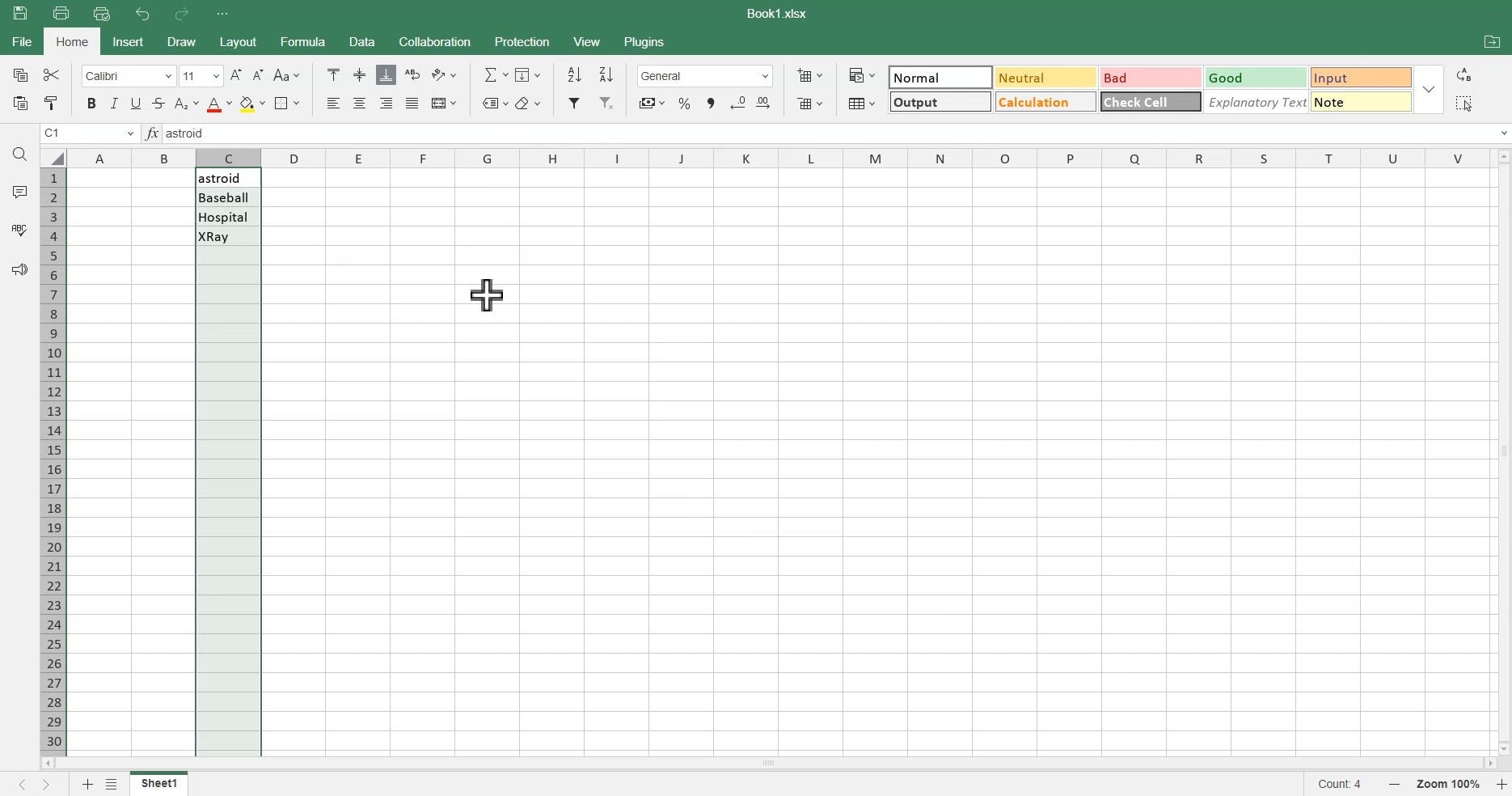 This screenshot has height=796, width=1512. Describe the element at coordinates (387, 103) in the screenshot. I see `Align Right` at that location.